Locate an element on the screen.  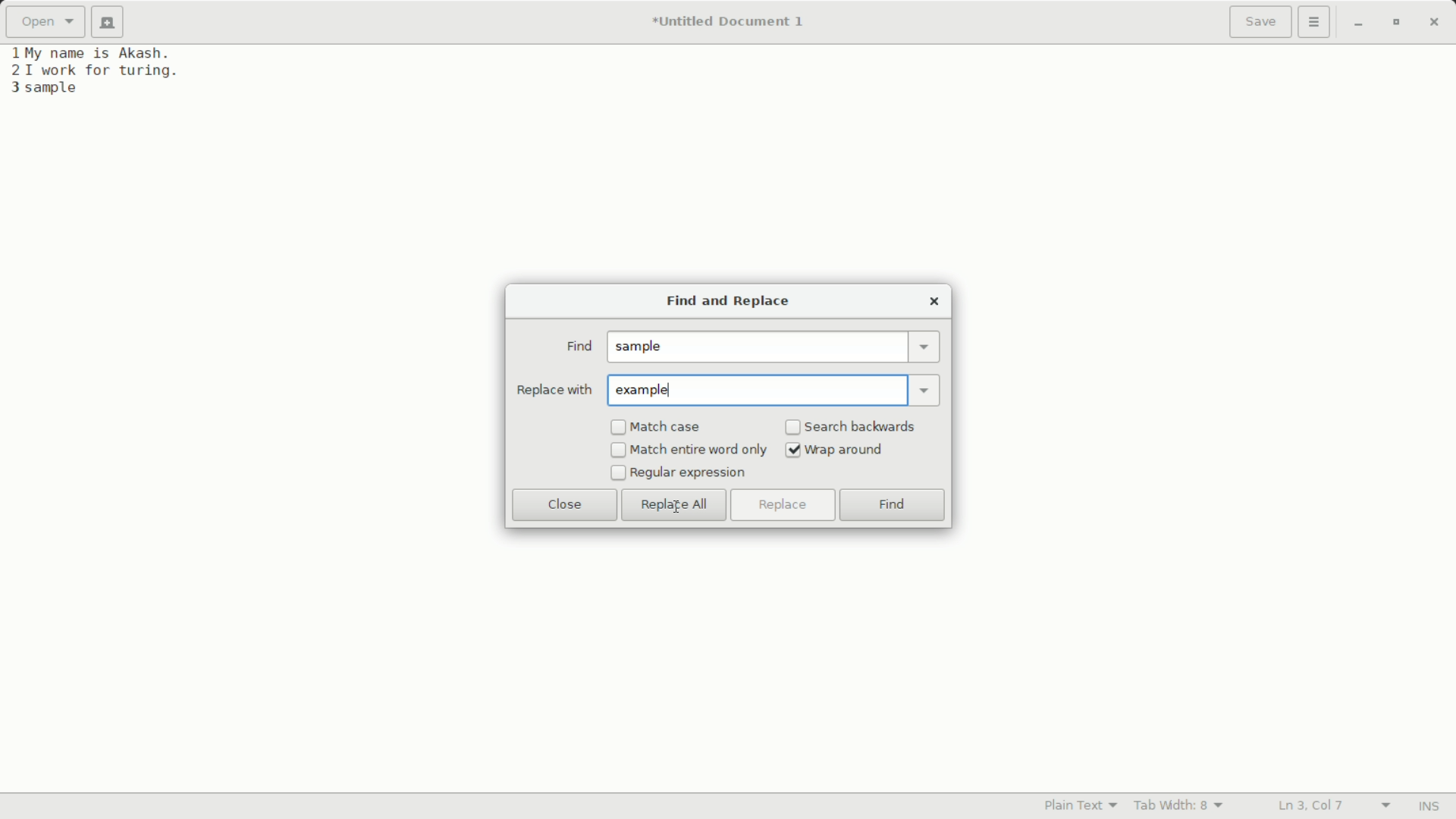
checkbox is located at coordinates (793, 428).